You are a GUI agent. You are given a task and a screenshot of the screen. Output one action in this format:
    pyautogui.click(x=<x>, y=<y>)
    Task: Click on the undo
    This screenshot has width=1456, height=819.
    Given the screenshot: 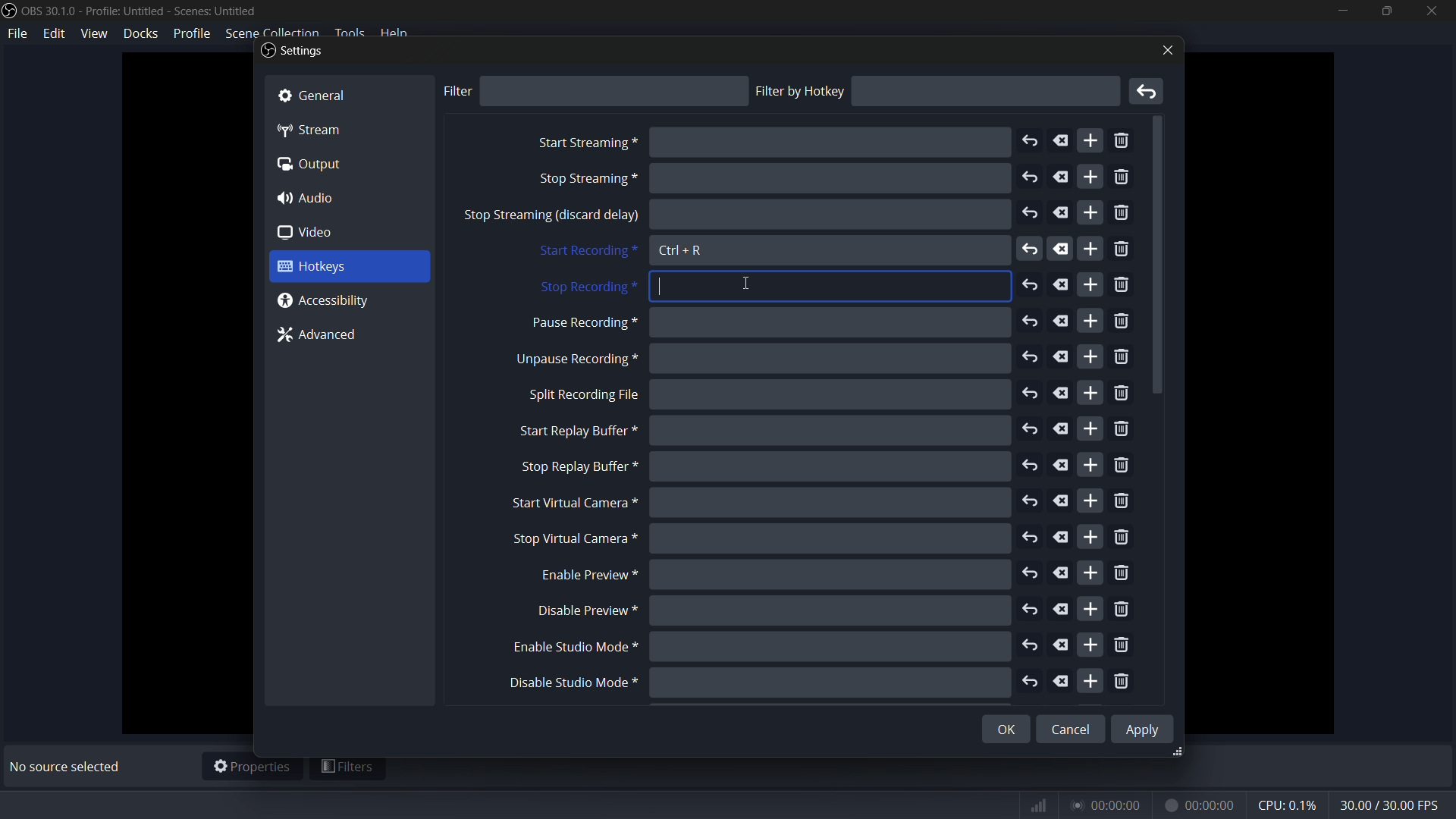 What is the action you would take?
    pyautogui.click(x=1031, y=428)
    